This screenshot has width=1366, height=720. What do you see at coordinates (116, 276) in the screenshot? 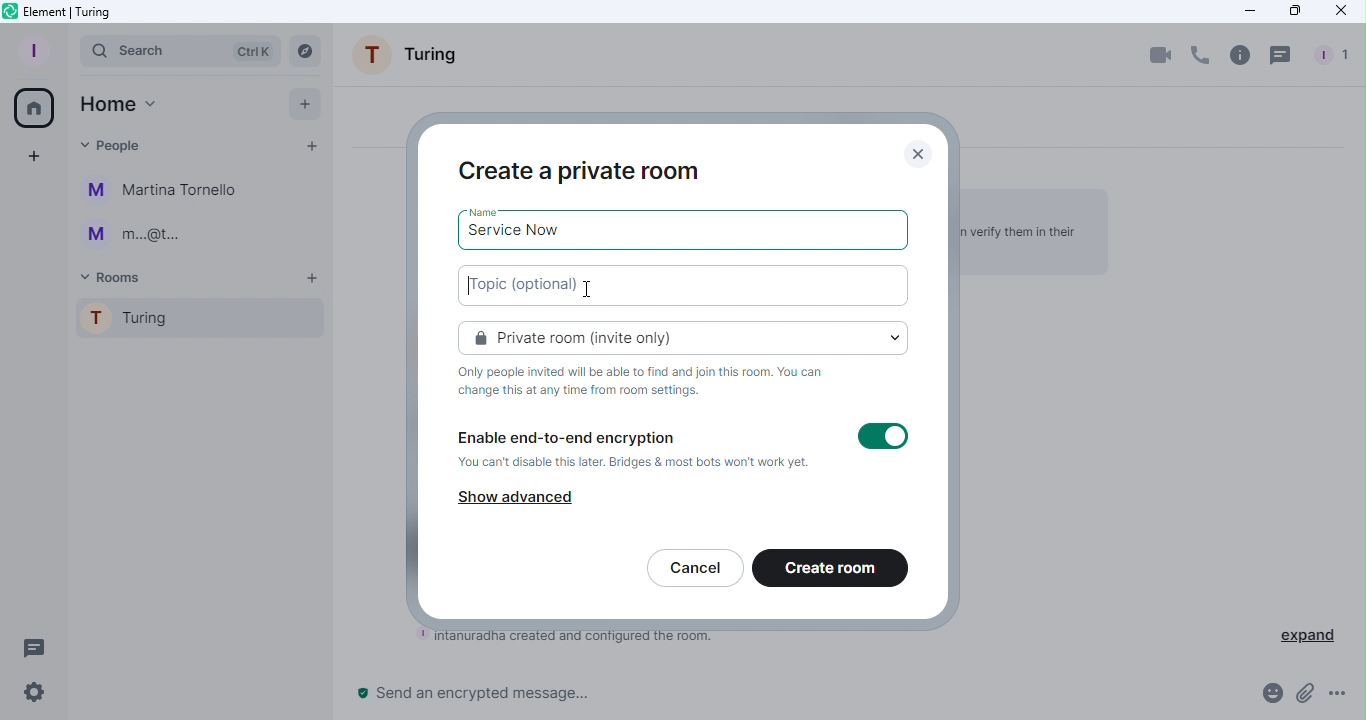
I see `Rooms` at bounding box center [116, 276].